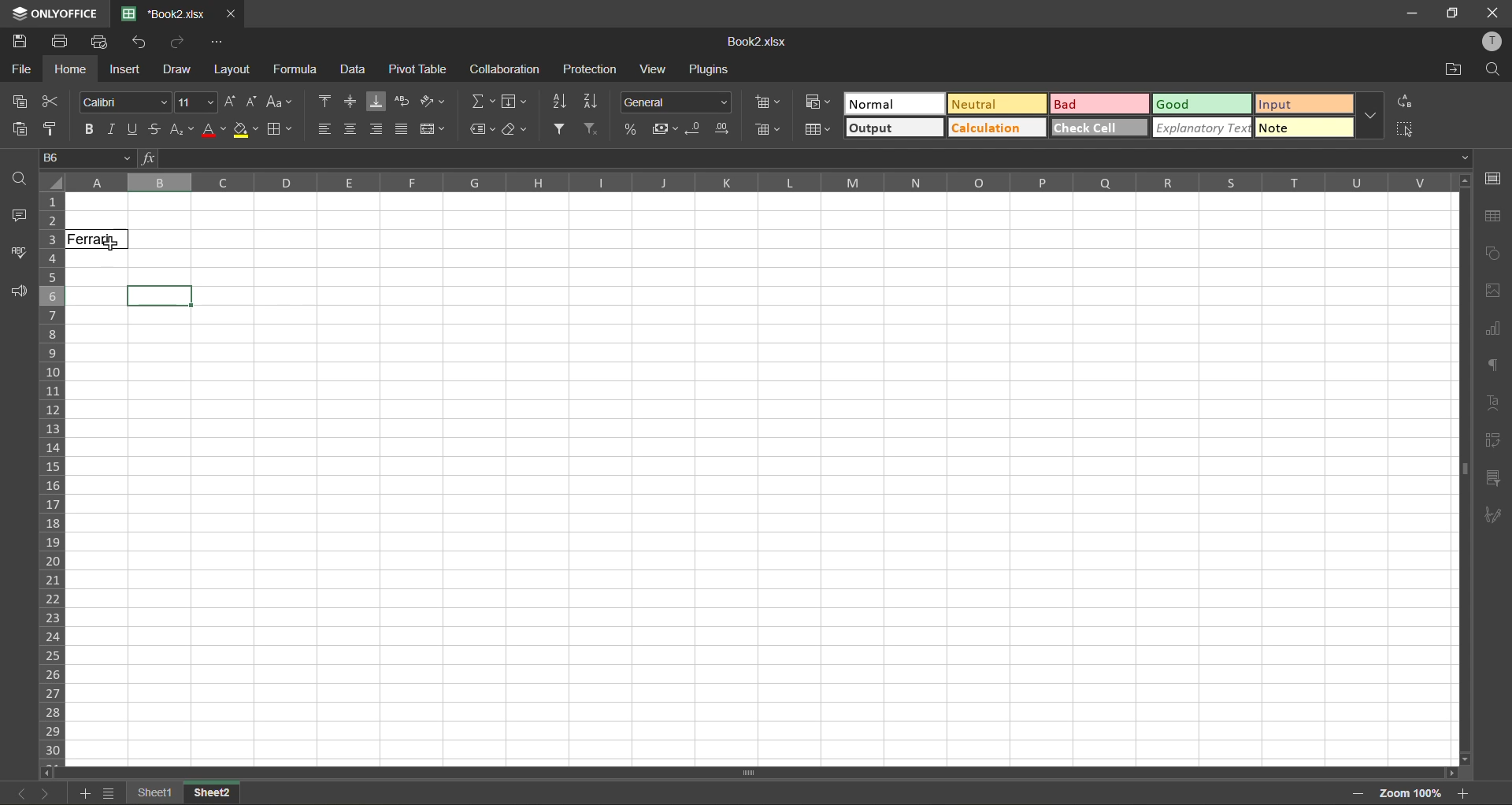  What do you see at coordinates (52, 130) in the screenshot?
I see `copy style` at bounding box center [52, 130].